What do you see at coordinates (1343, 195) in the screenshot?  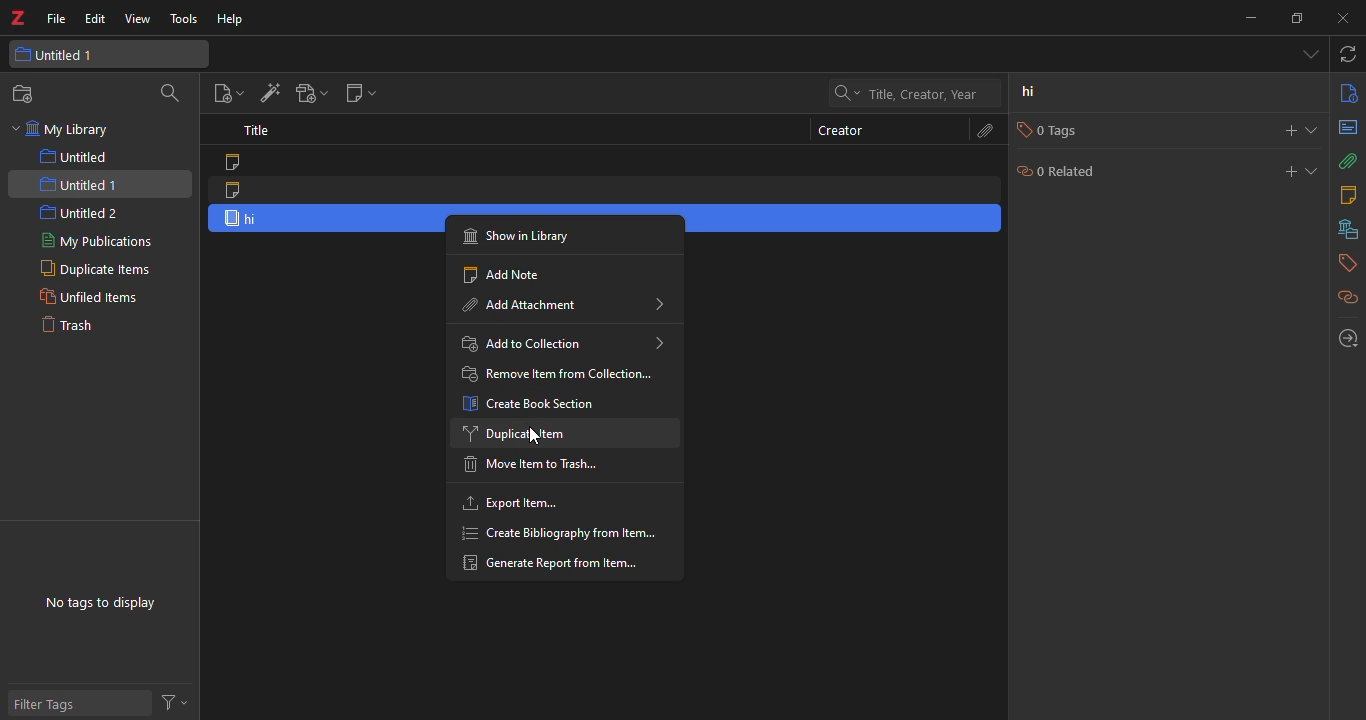 I see `notes` at bounding box center [1343, 195].